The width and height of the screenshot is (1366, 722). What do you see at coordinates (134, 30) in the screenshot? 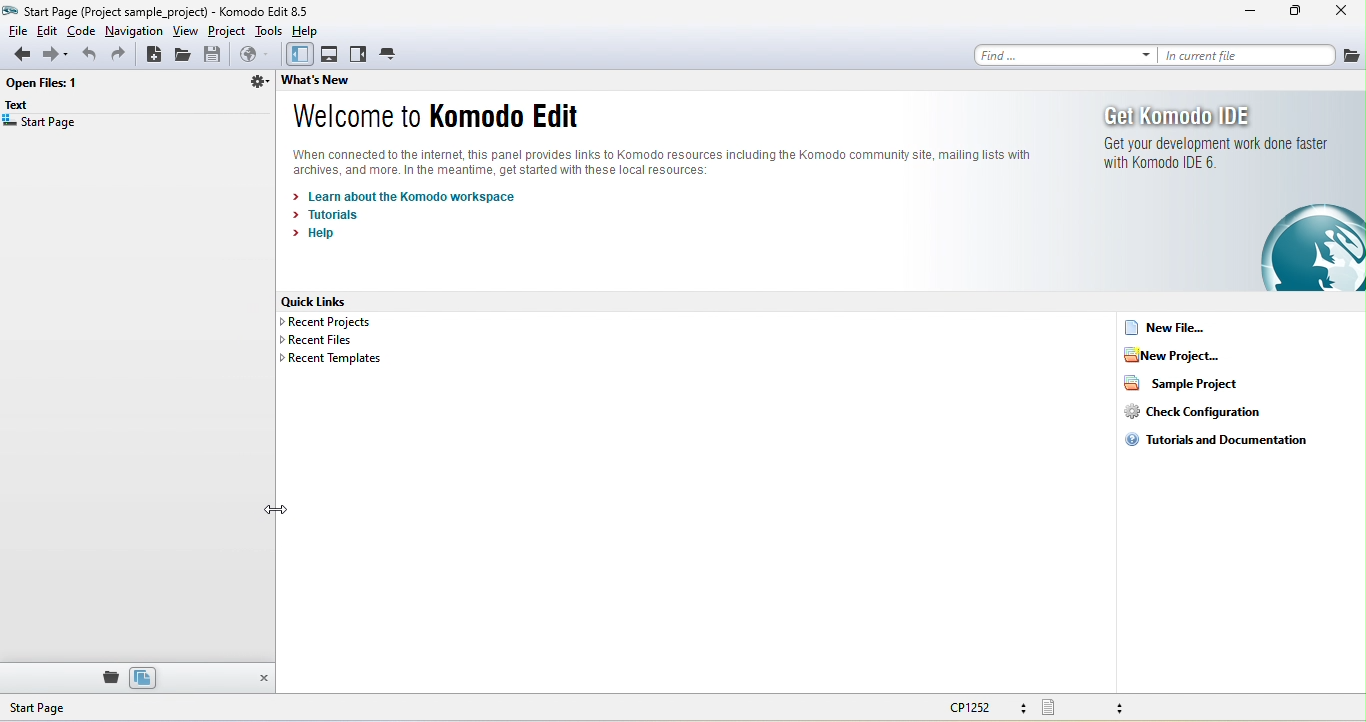
I see `navigation` at bounding box center [134, 30].